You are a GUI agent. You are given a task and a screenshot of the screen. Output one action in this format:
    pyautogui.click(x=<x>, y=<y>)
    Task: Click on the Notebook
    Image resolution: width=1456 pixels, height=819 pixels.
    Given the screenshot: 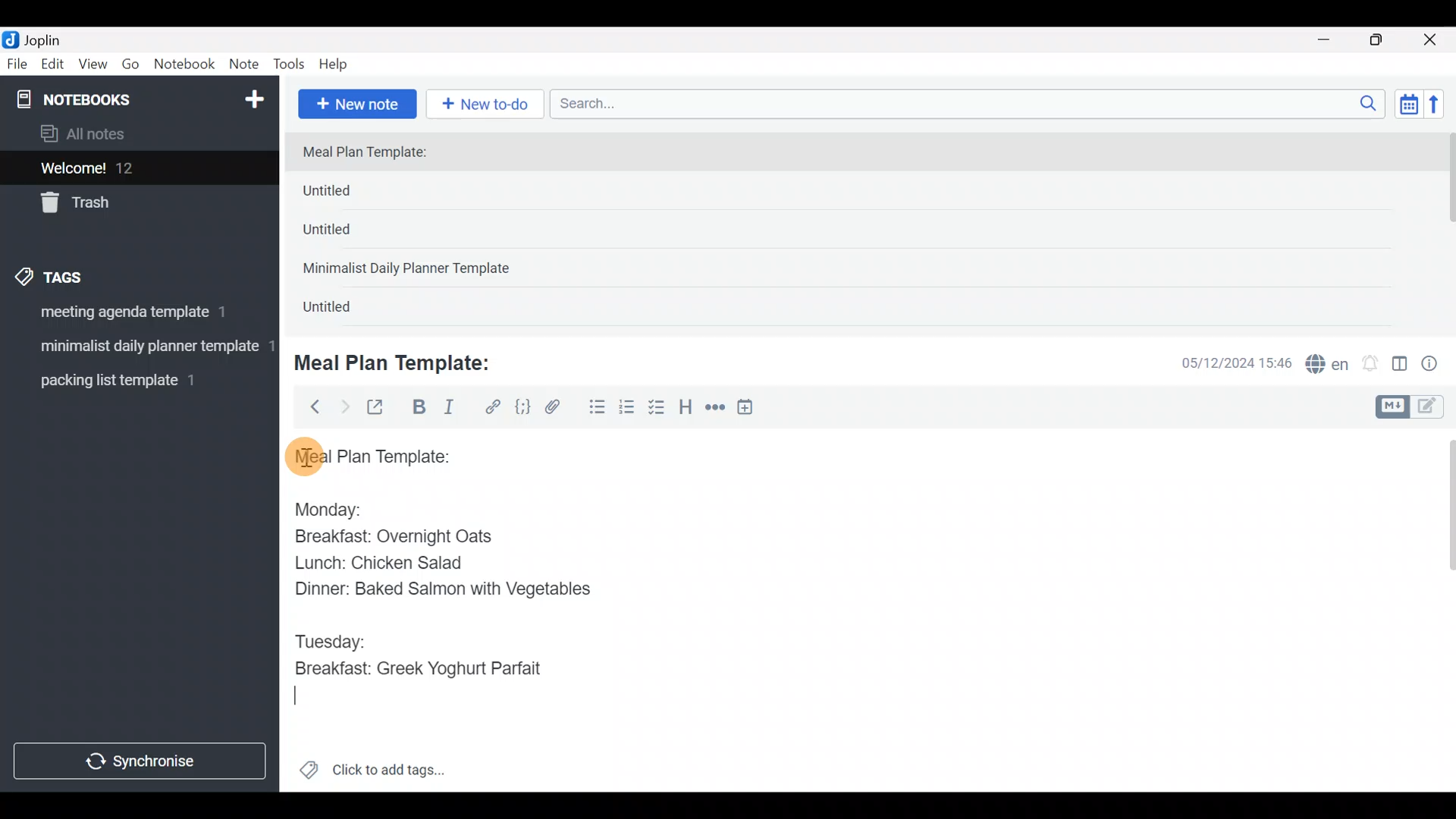 What is the action you would take?
    pyautogui.click(x=185, y=64)
    